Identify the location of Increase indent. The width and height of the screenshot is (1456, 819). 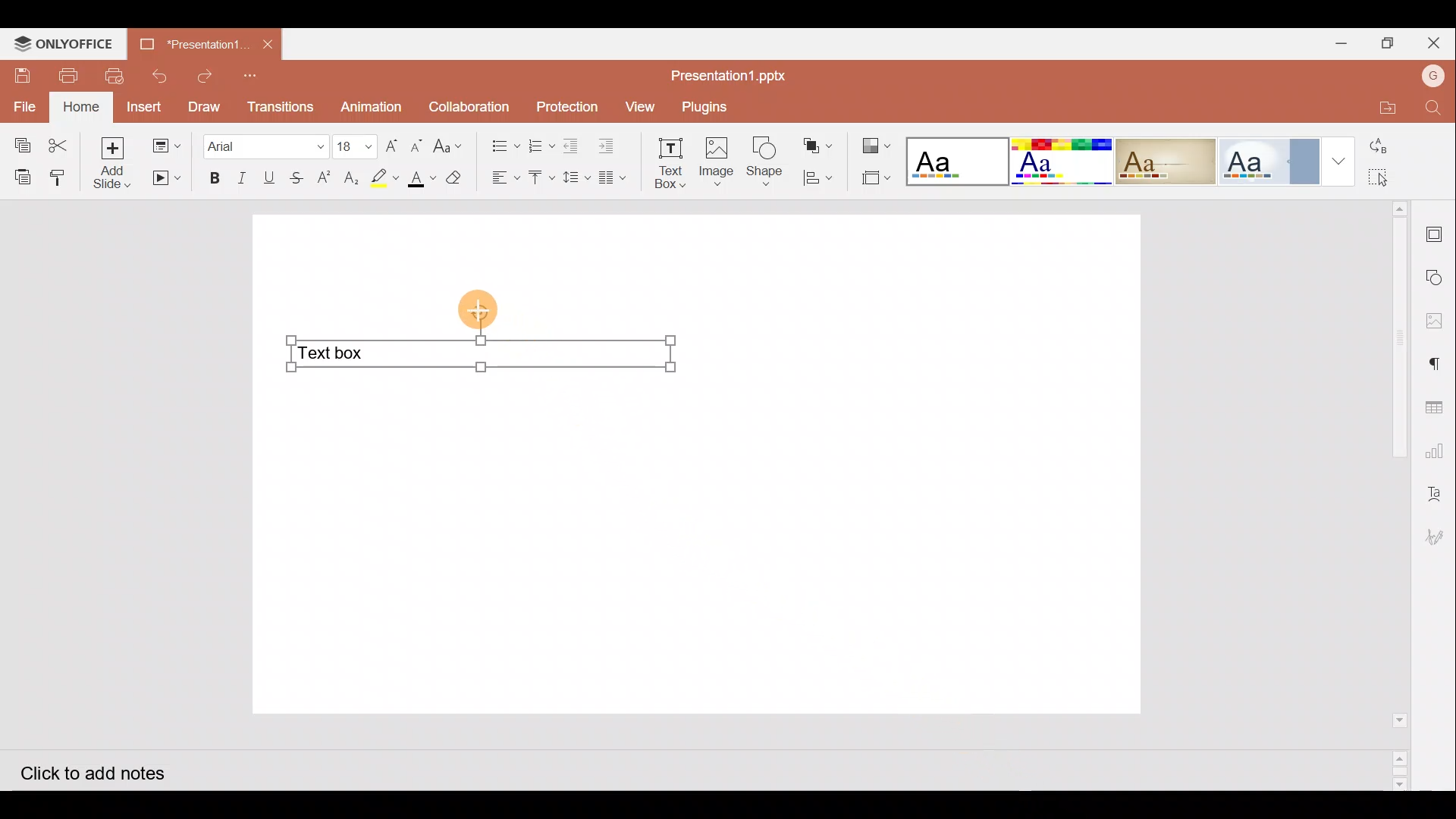
(609, 143).